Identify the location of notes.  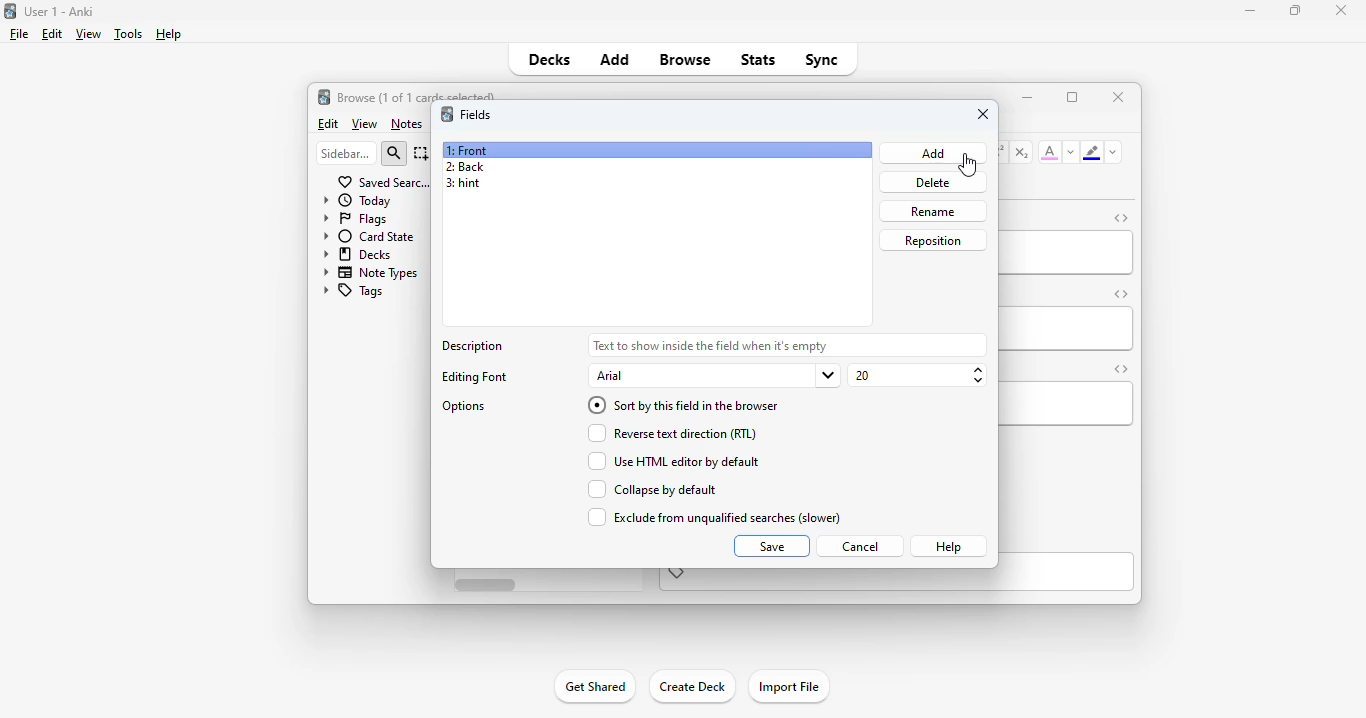
(406, 124).